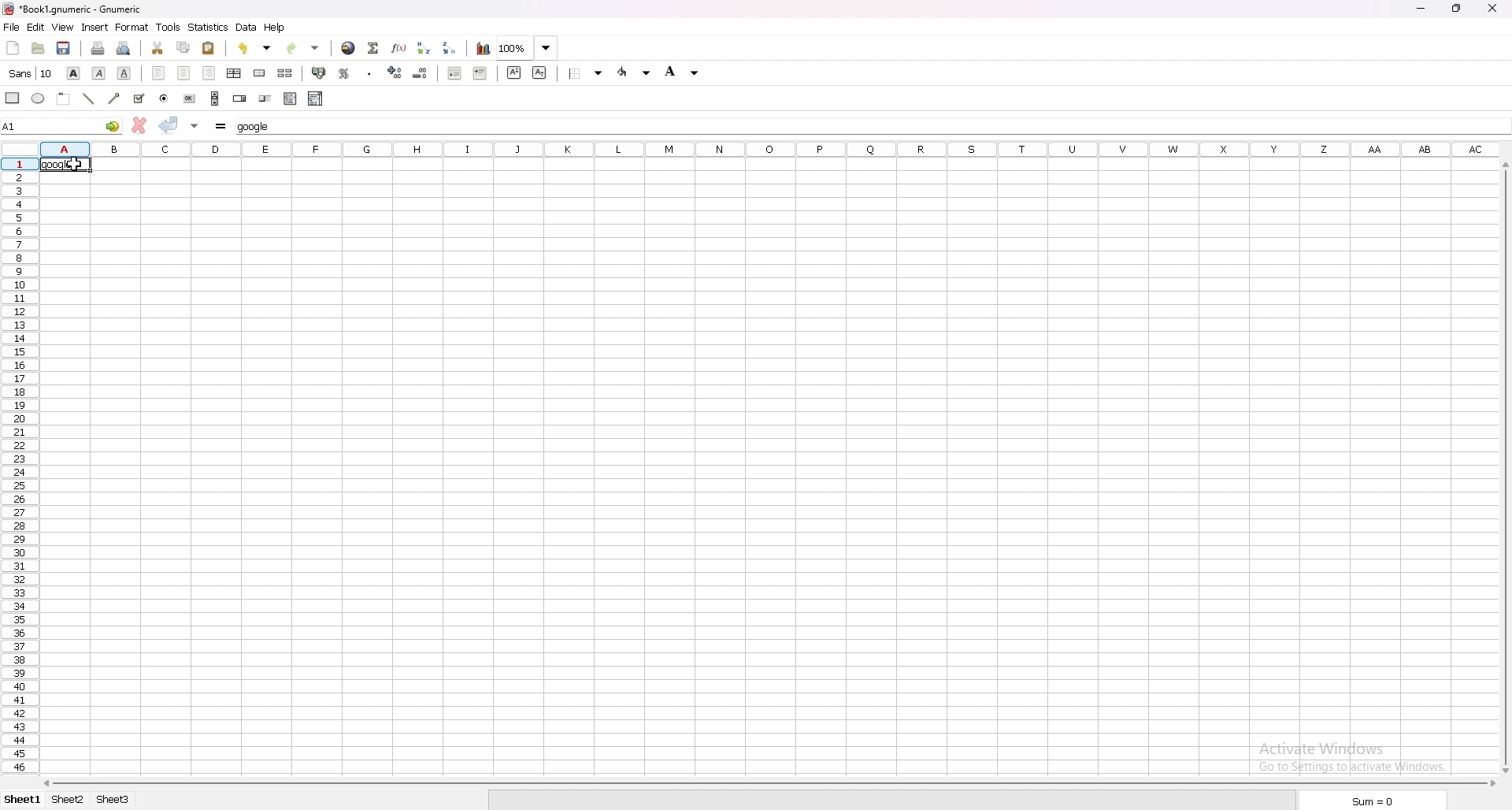 This screenshot has width=1512, height=810. I want to click on frame, so click(65, 98).